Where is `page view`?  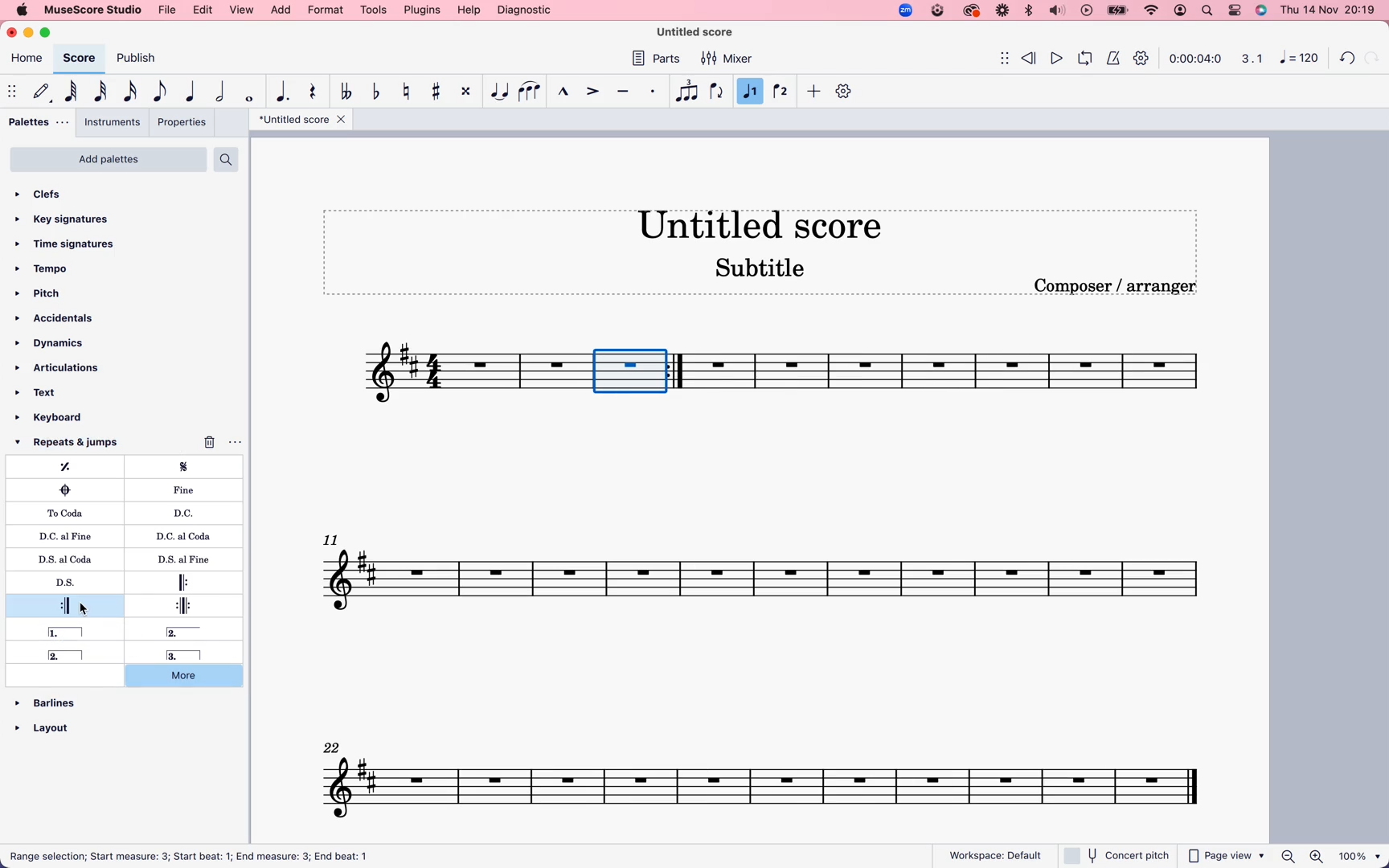
page view is located at coordinates (1227, 856).